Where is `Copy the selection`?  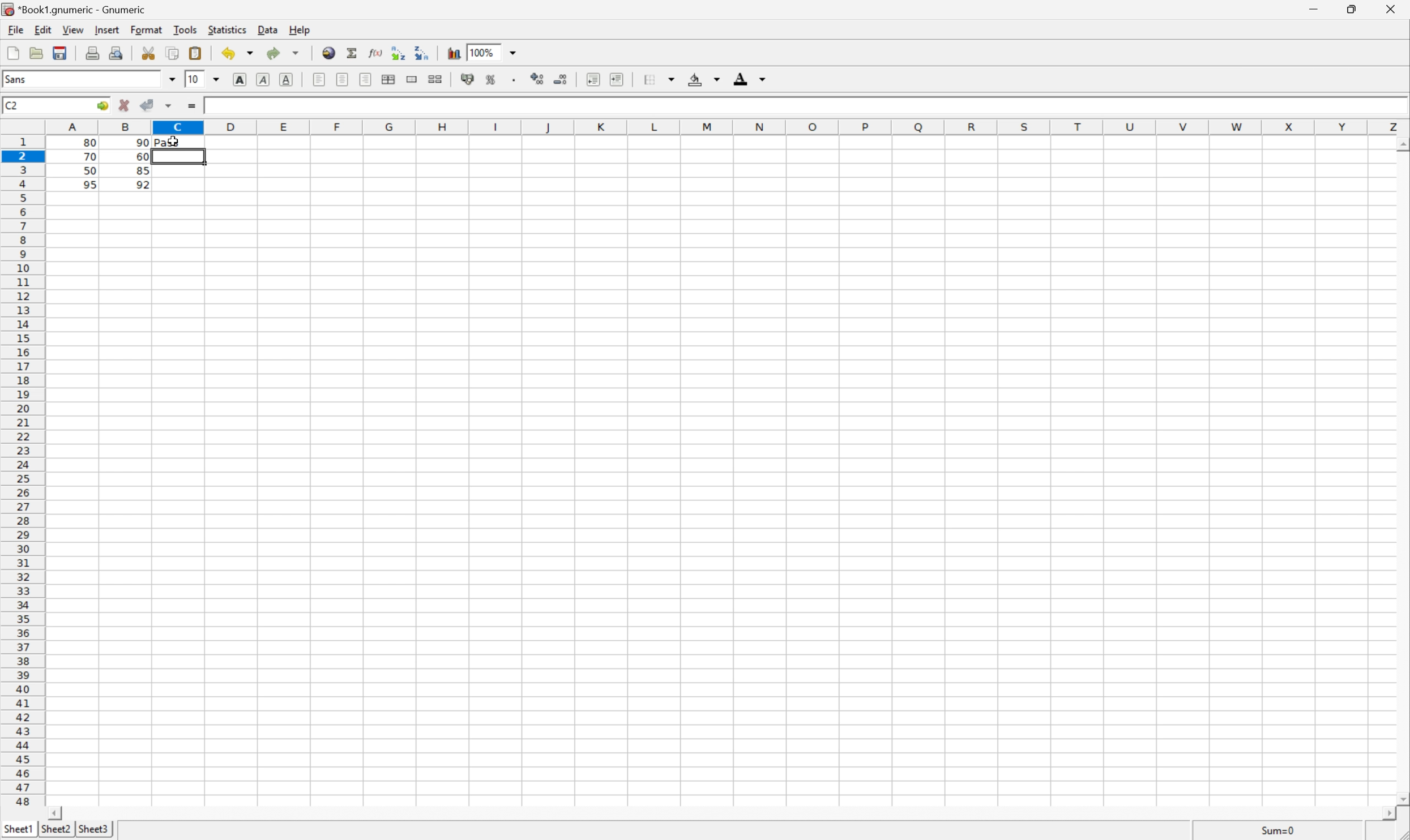 Copy the selection is located at coordinates (174, 52).